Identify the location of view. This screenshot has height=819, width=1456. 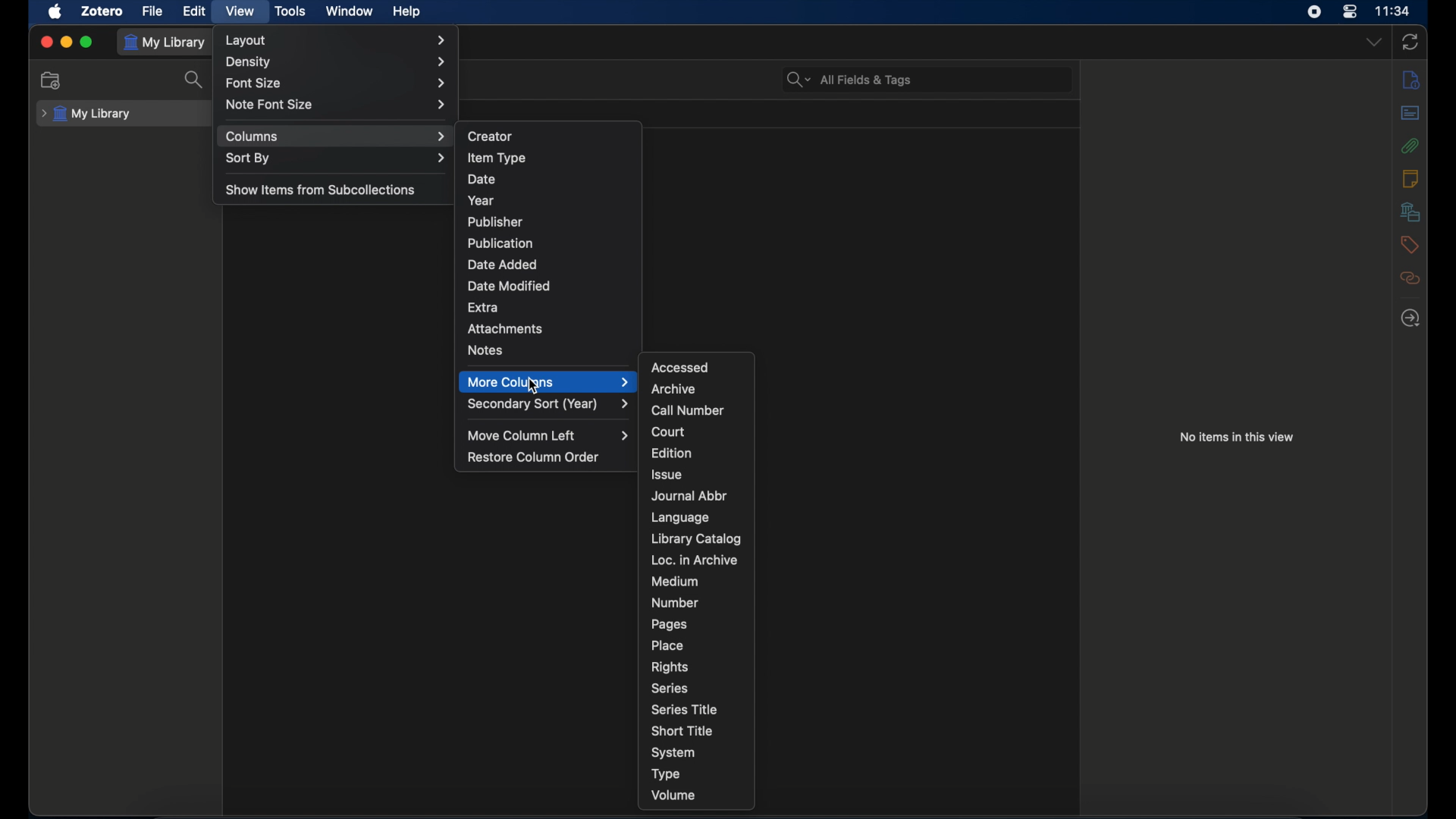
(240, 11).